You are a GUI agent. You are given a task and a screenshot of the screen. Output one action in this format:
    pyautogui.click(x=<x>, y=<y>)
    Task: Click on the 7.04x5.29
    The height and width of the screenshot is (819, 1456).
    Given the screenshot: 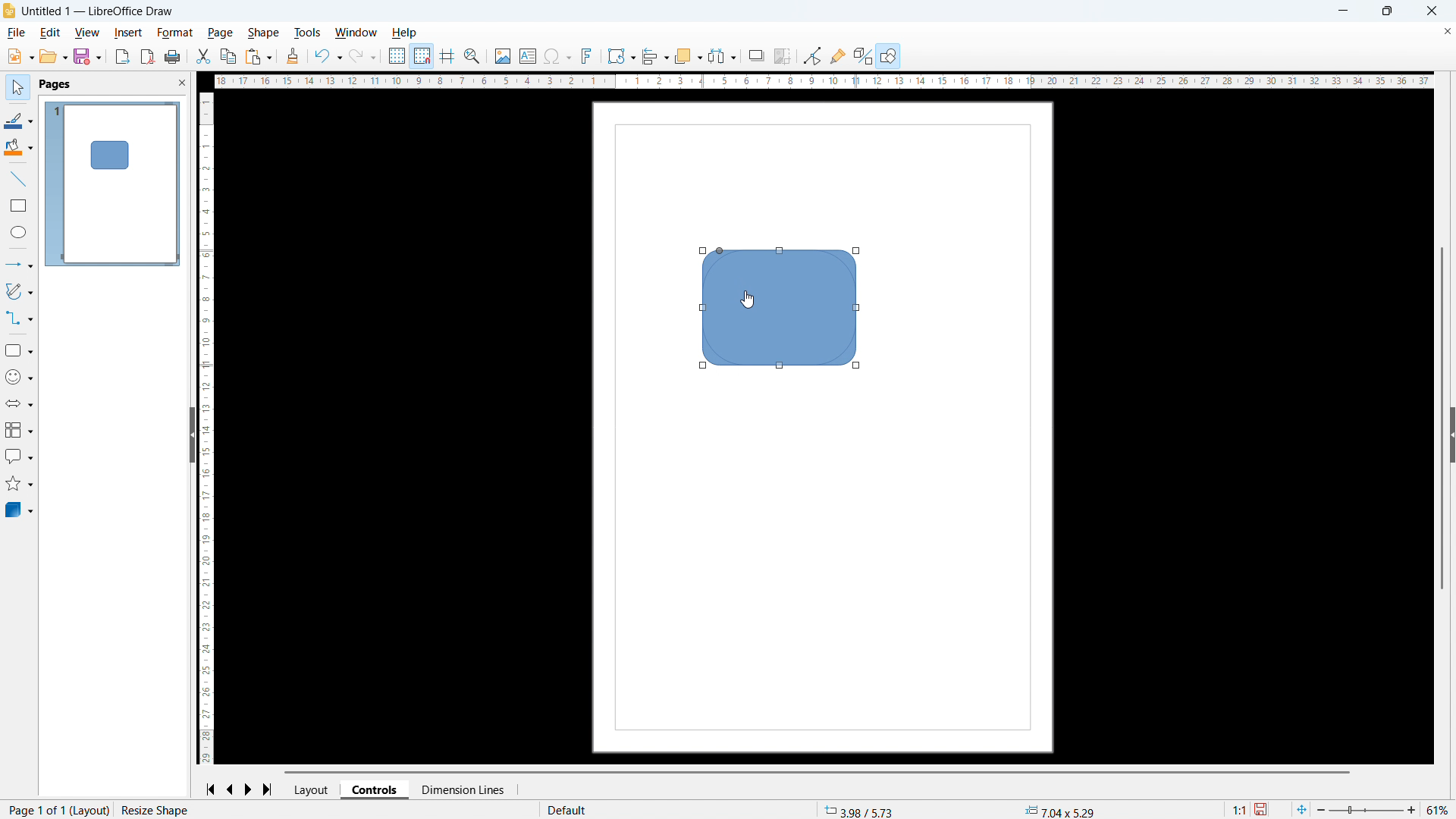 What is the action you would take?
    pyautogui.click(x=1059, y=811)
    